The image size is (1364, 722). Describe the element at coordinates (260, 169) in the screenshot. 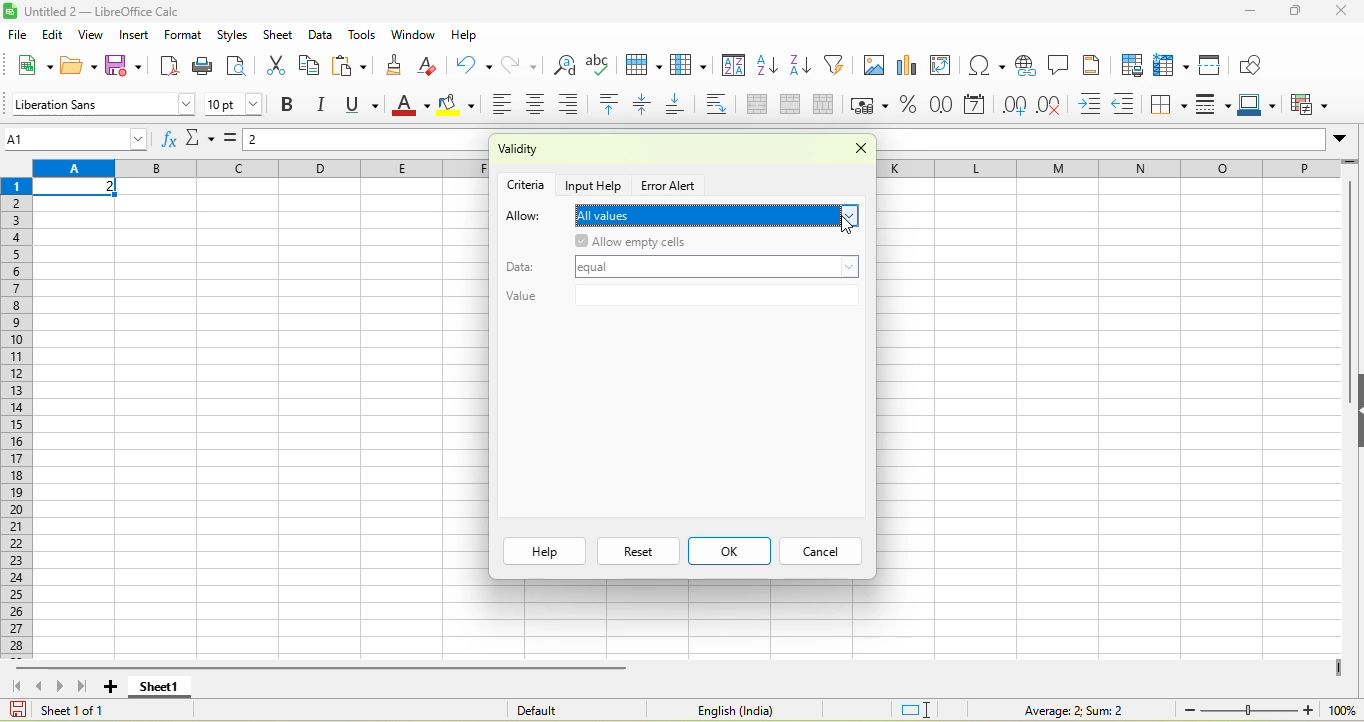

I see `column headings` at that location.